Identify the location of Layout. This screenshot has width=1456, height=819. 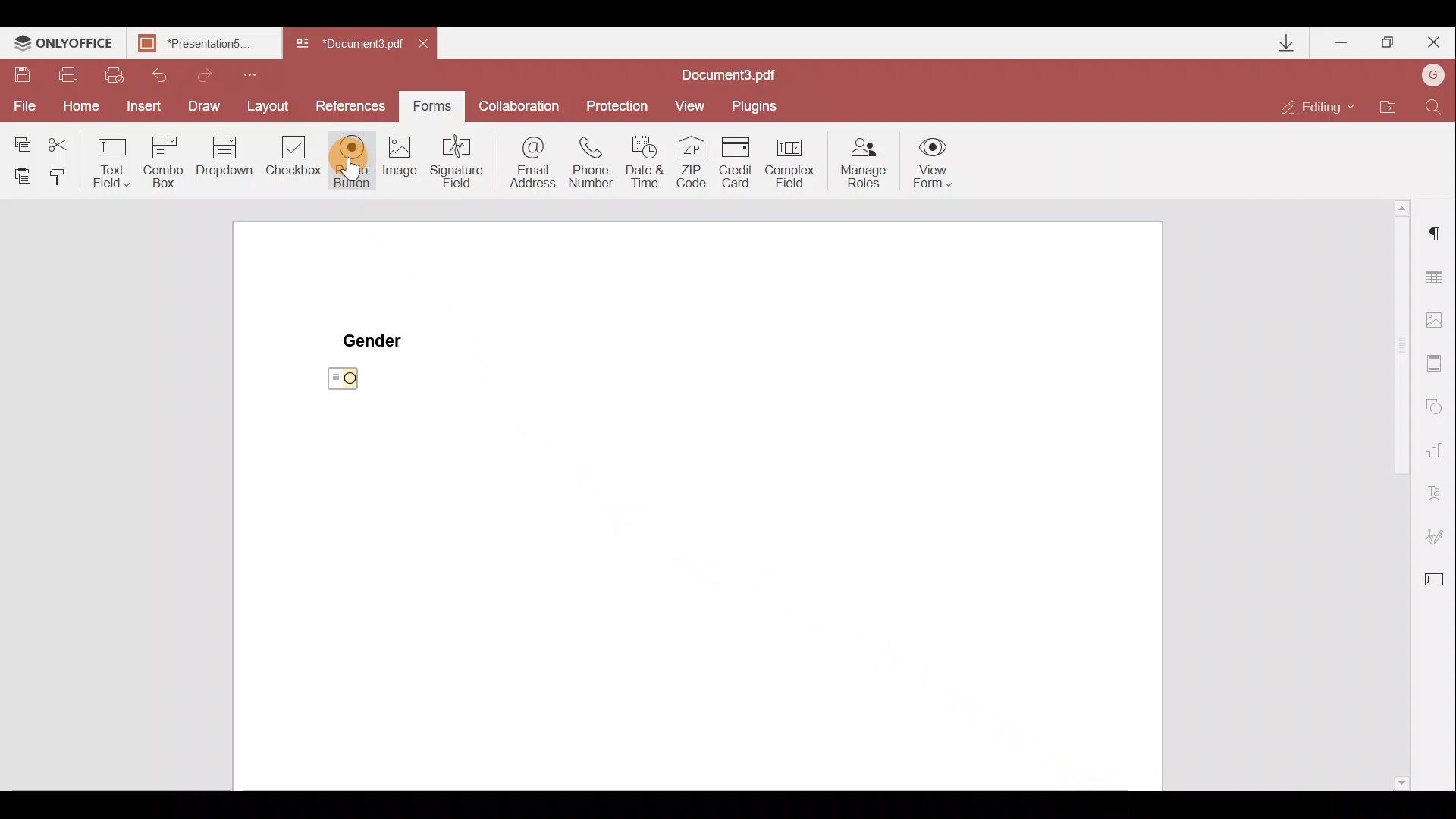
(271, 108).